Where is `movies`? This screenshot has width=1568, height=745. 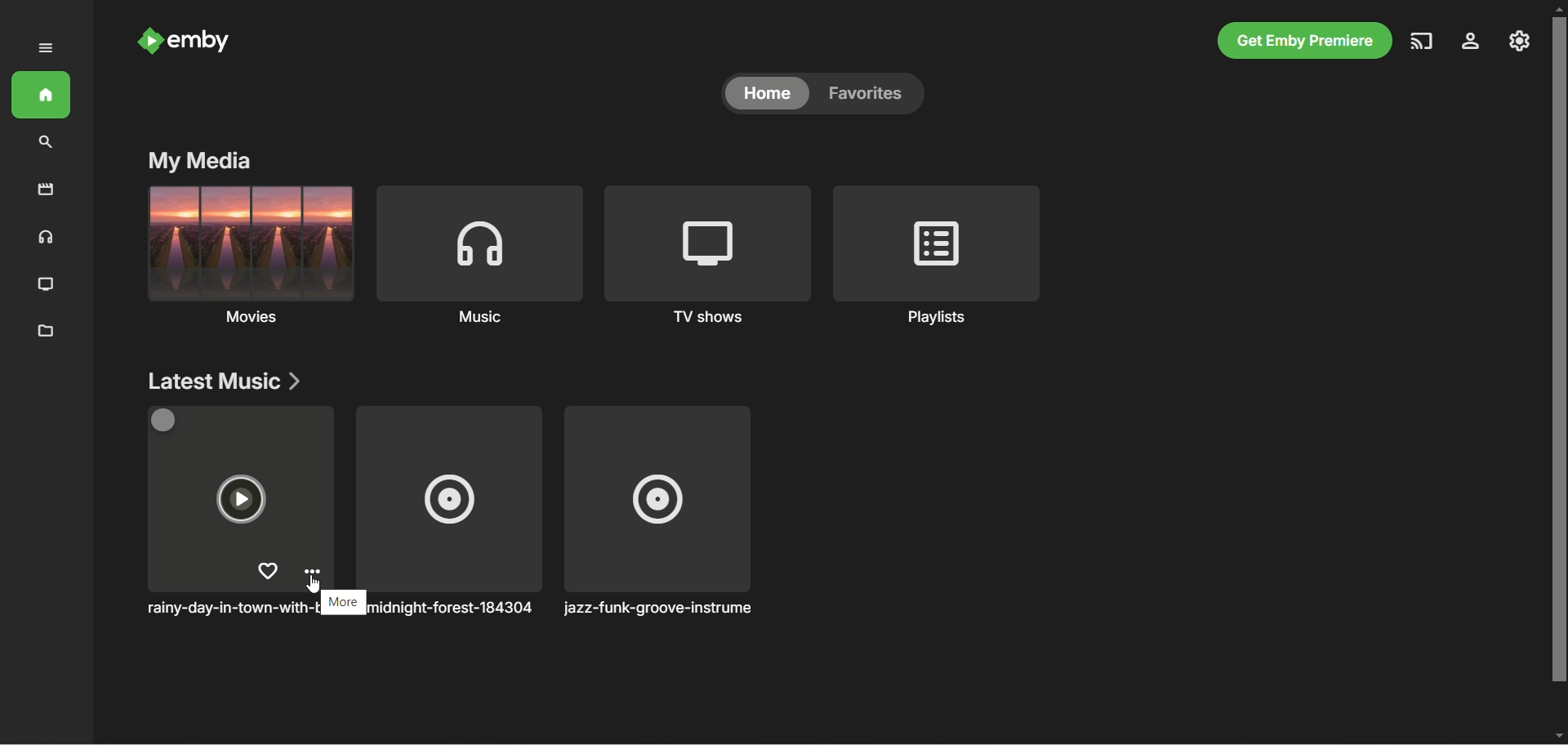
movies is located at coordinates (45, 189).